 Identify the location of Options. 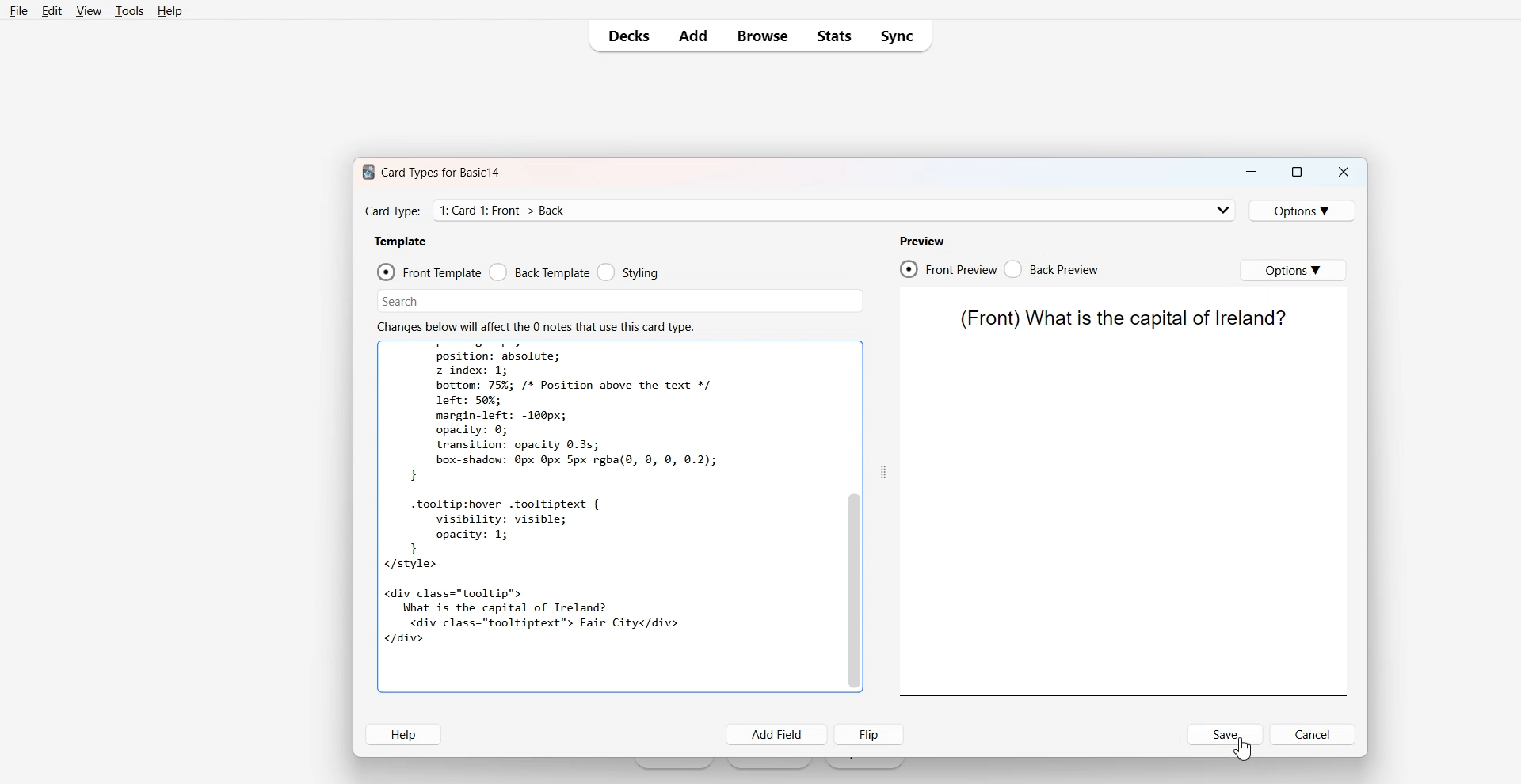
(1293, 270).